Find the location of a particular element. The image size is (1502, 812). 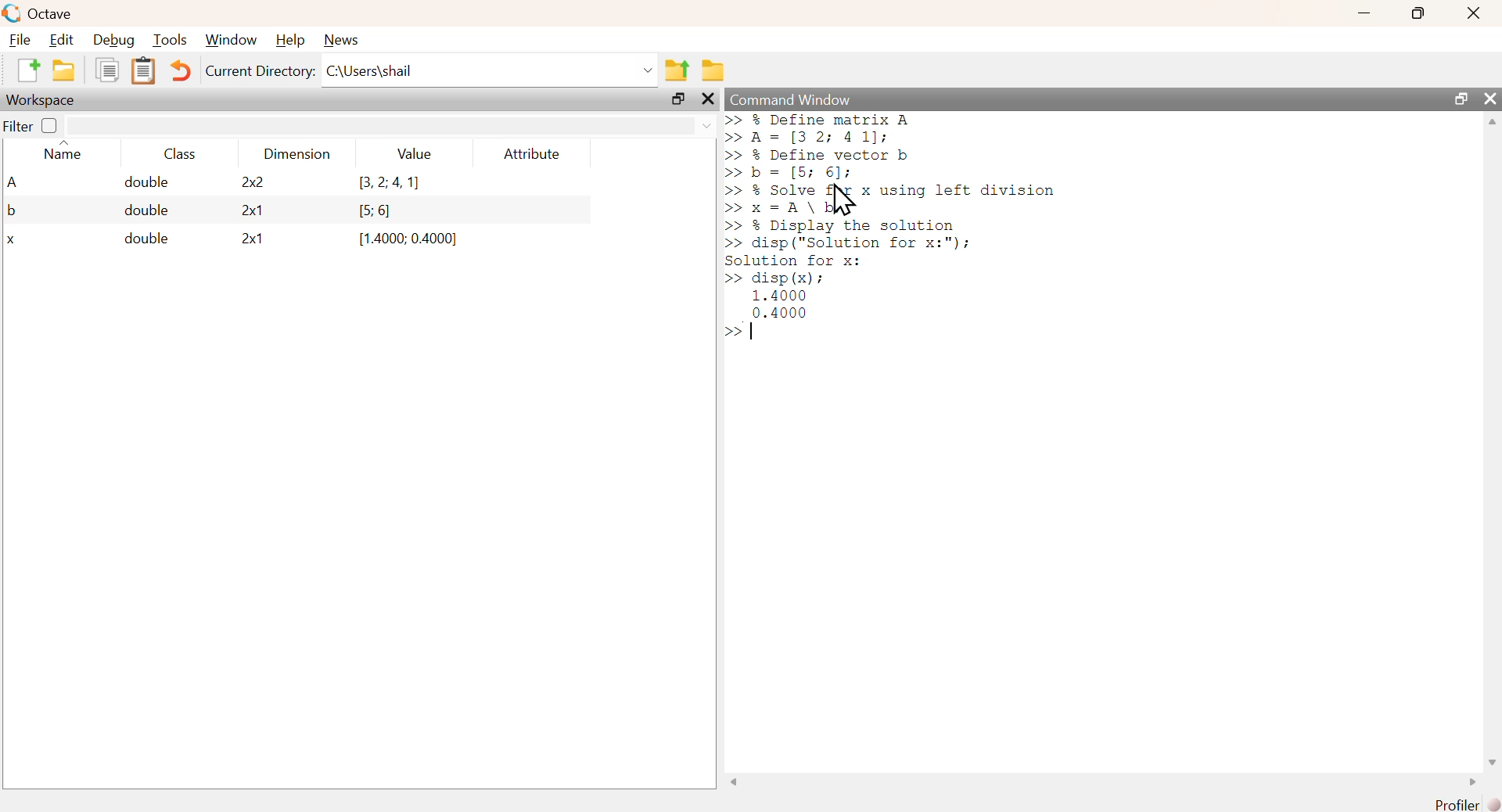

paste is located at coordinates (146, 73).